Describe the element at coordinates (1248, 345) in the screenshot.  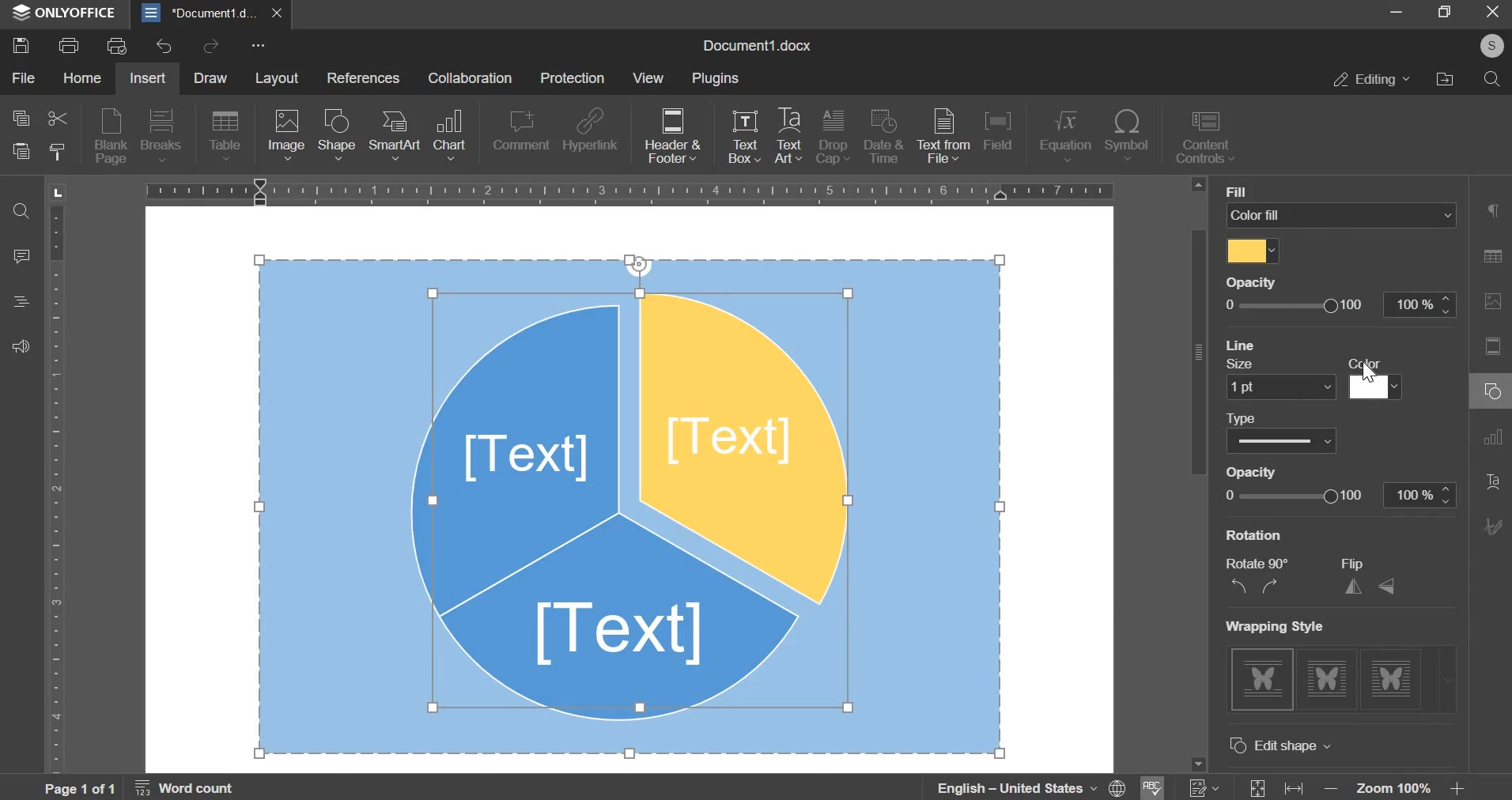
I see `line` at that location.